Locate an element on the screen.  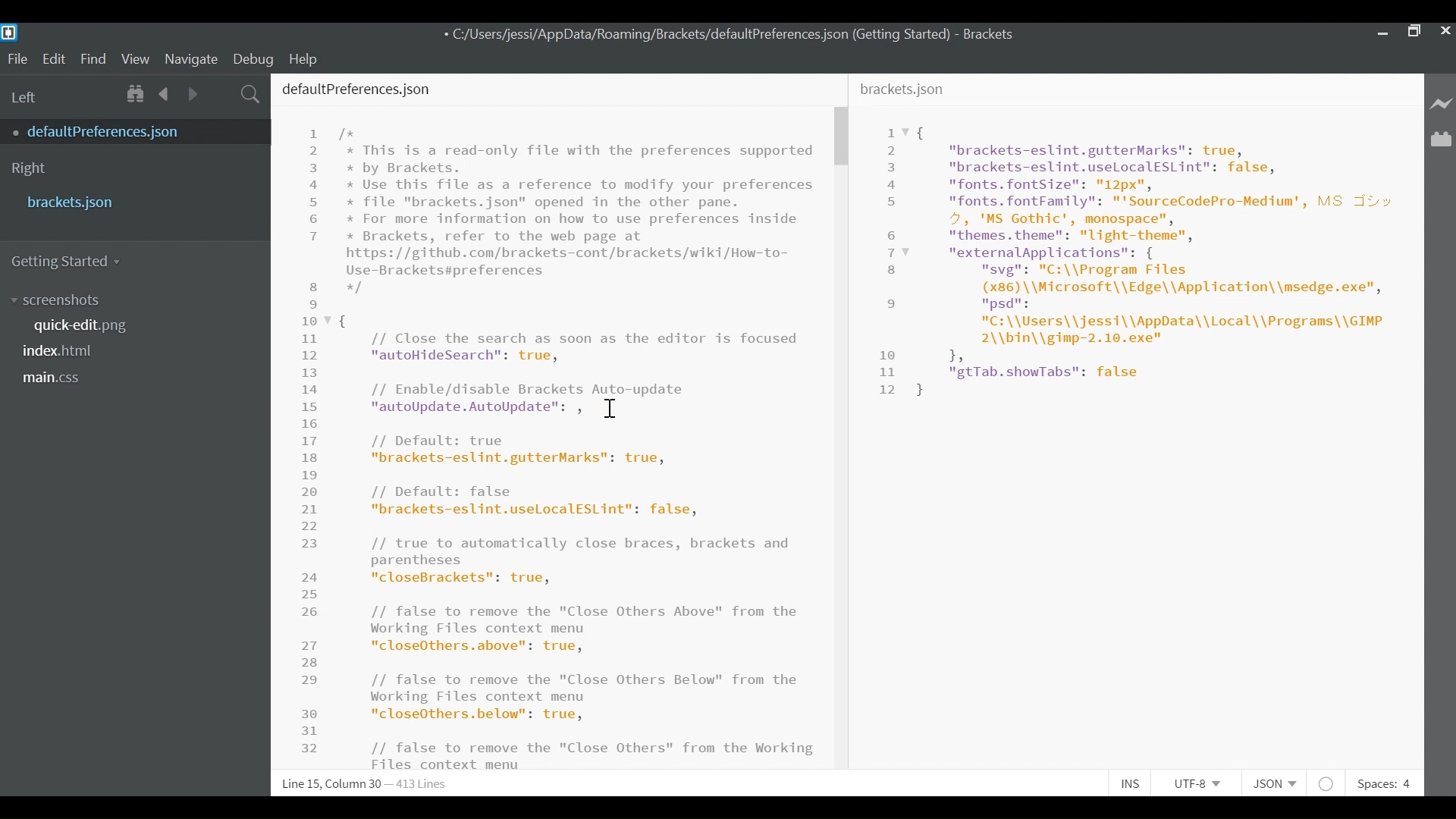
Navigate is located at coordinates (192, 58).